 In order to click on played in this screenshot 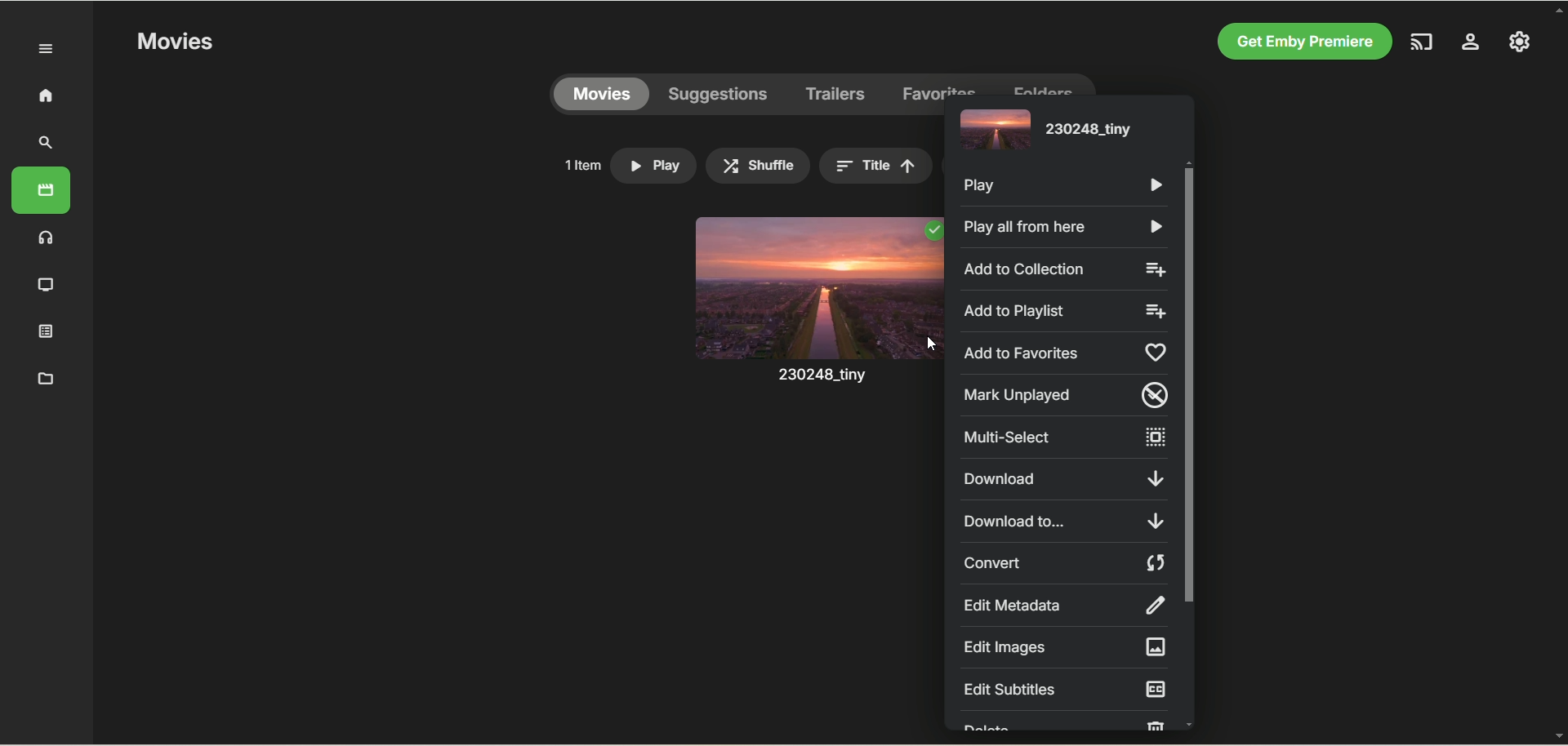, I will do `click(932, 231)`.